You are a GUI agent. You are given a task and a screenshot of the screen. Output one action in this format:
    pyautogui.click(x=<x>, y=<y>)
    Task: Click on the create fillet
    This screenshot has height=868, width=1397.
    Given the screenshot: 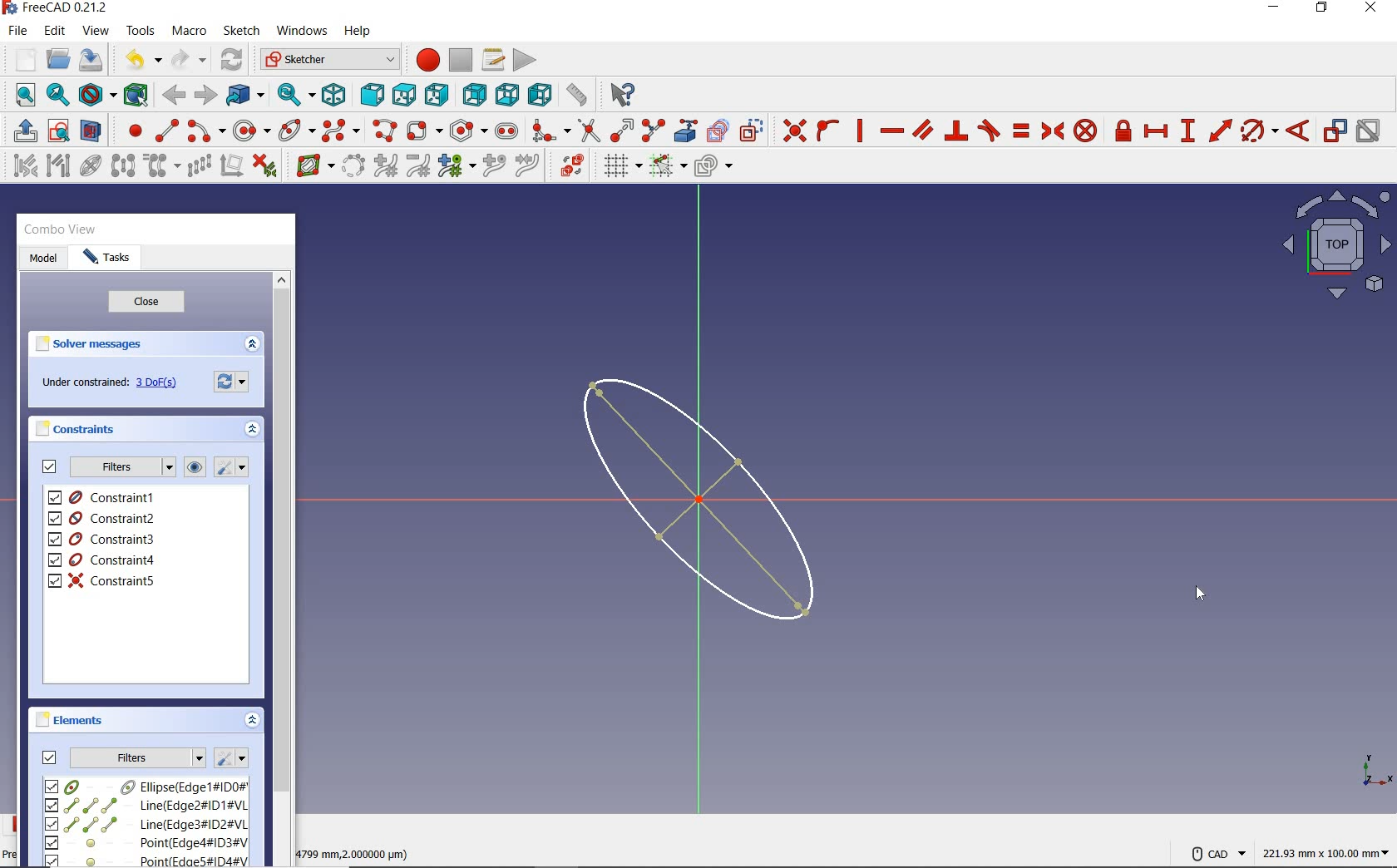 What is the action you would take?
    pyautogui.click(x=550, y=128)
    